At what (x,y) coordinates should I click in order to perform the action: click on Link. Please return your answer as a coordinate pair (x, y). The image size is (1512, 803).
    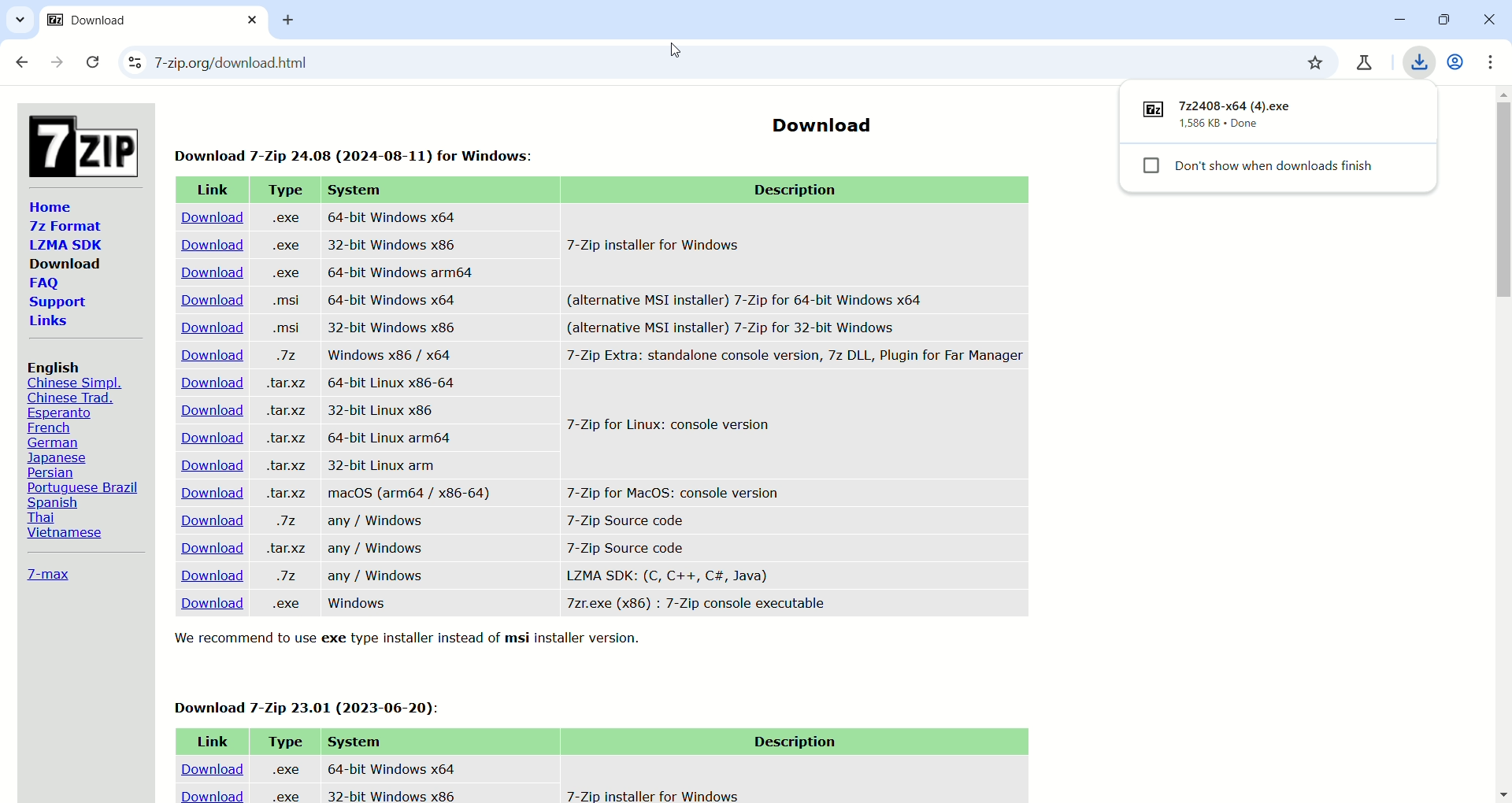
    Looking at the image, I should click on (209, 738).